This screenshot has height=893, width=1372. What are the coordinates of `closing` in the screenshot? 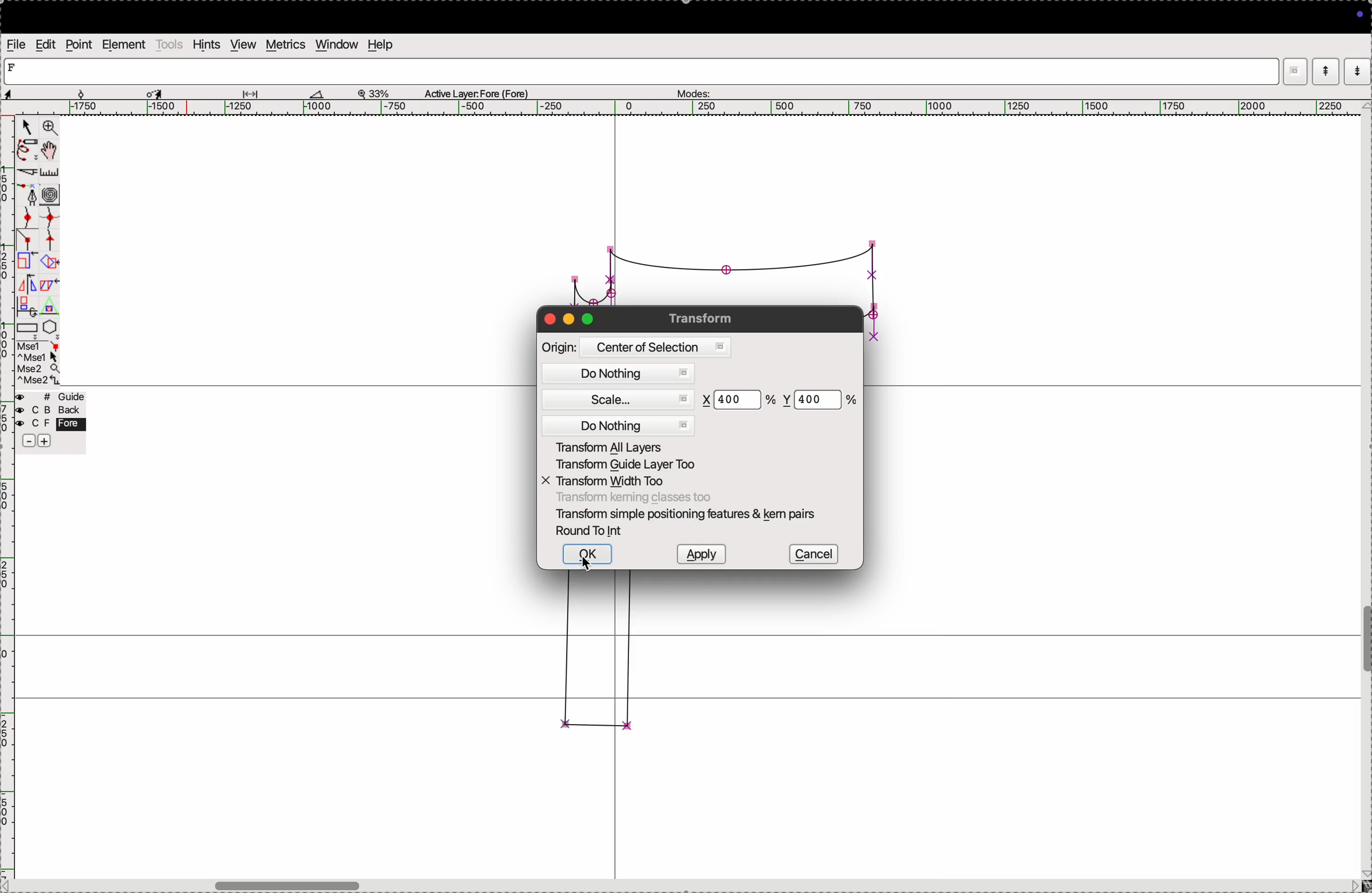 It's located at (549, 319).